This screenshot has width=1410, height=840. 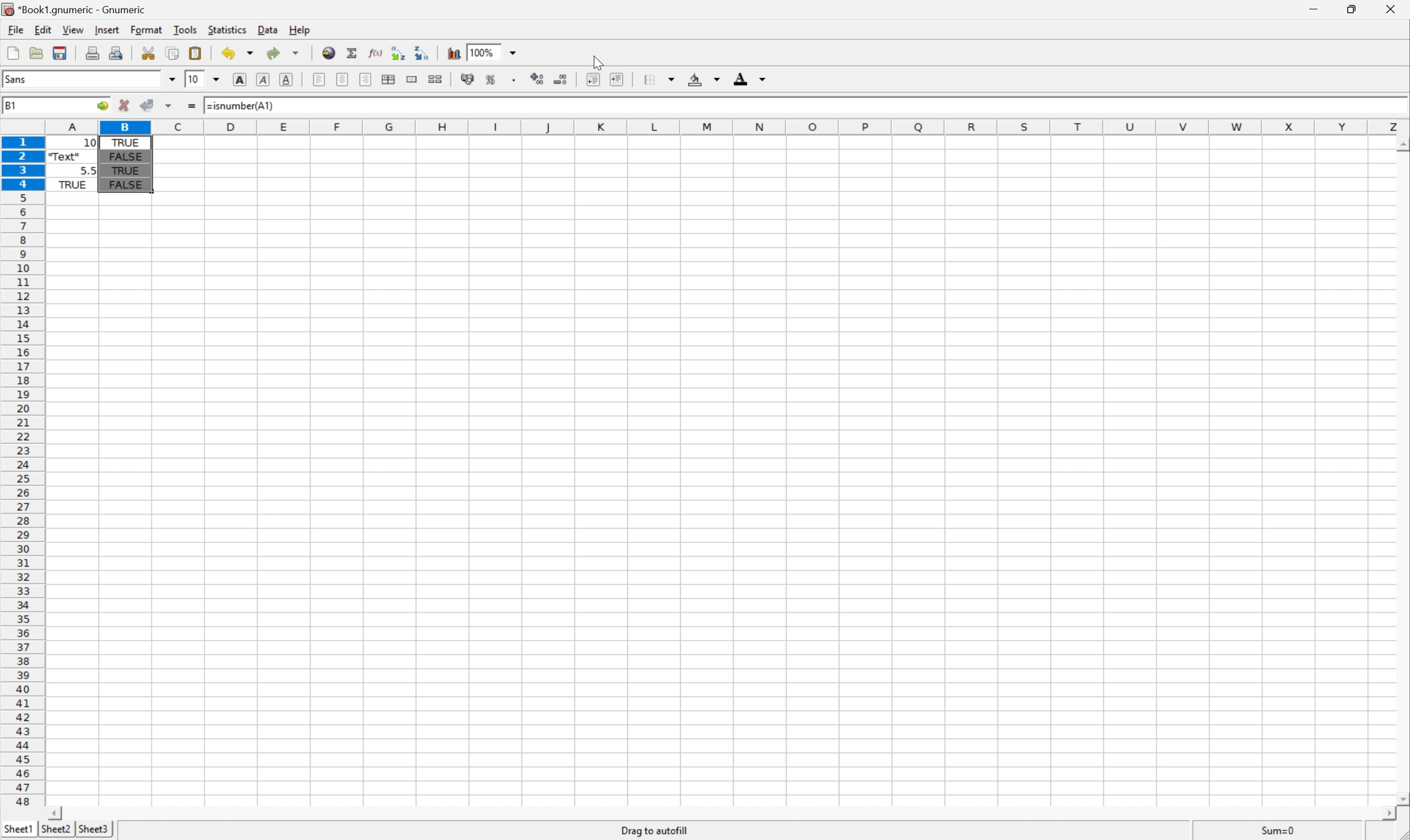 What do you see at coordinates (149, 104) in the screenshot?
I see `Accept changes` at bounding box center [149, 104].